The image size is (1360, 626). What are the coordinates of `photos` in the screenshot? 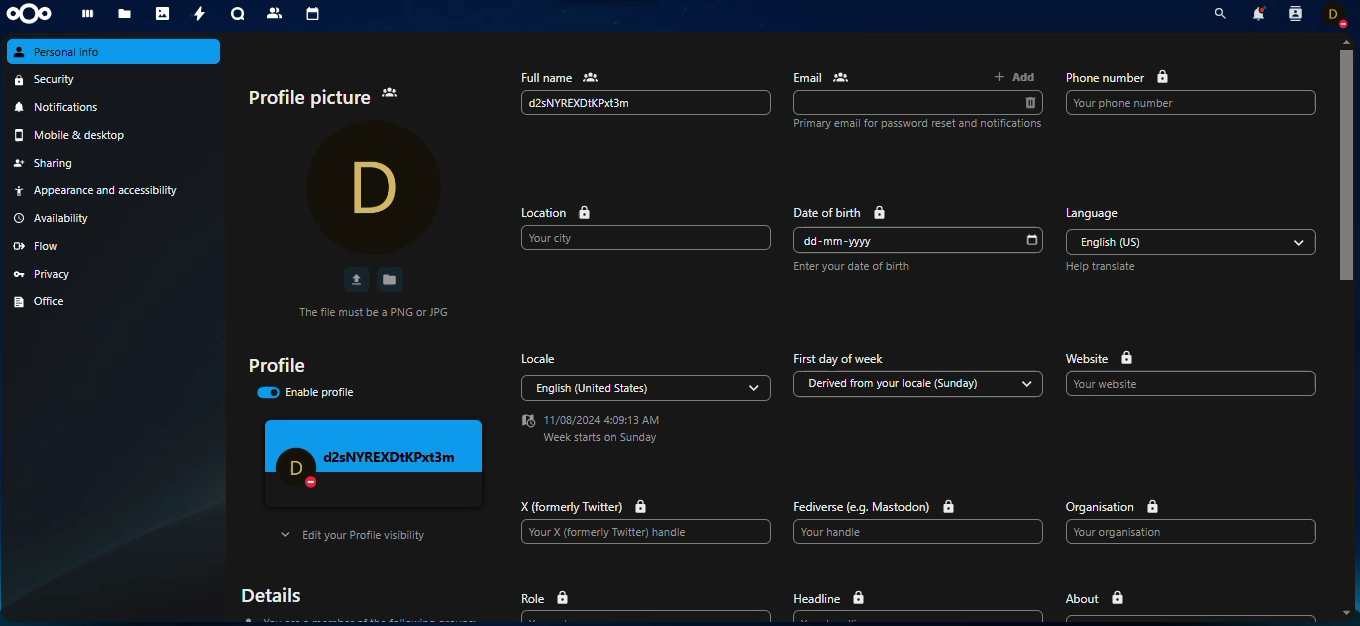 It's located at (162, 14).